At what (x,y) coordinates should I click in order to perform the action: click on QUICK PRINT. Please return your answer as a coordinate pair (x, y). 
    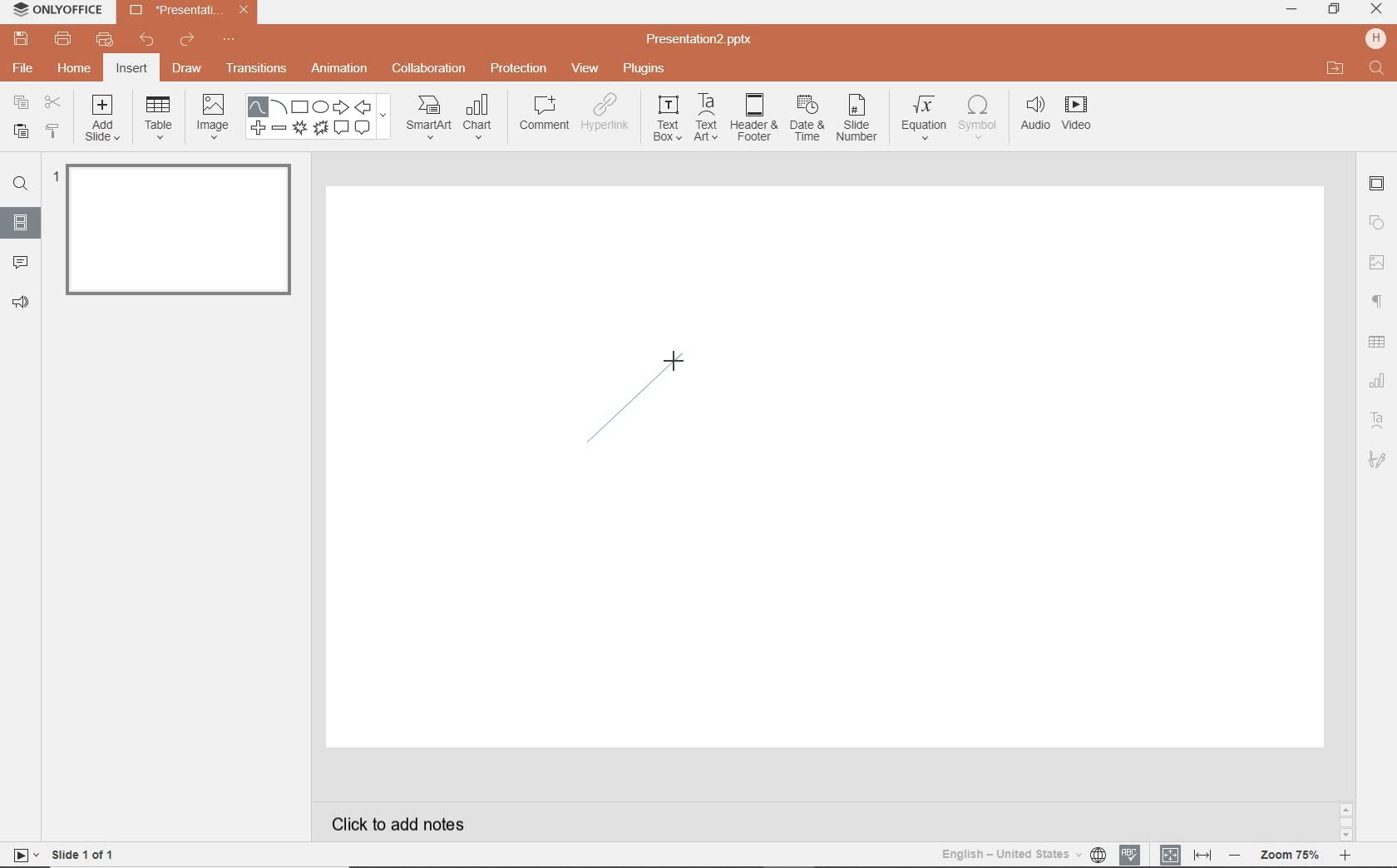
    Looking at the image, I should click on (103, 40).